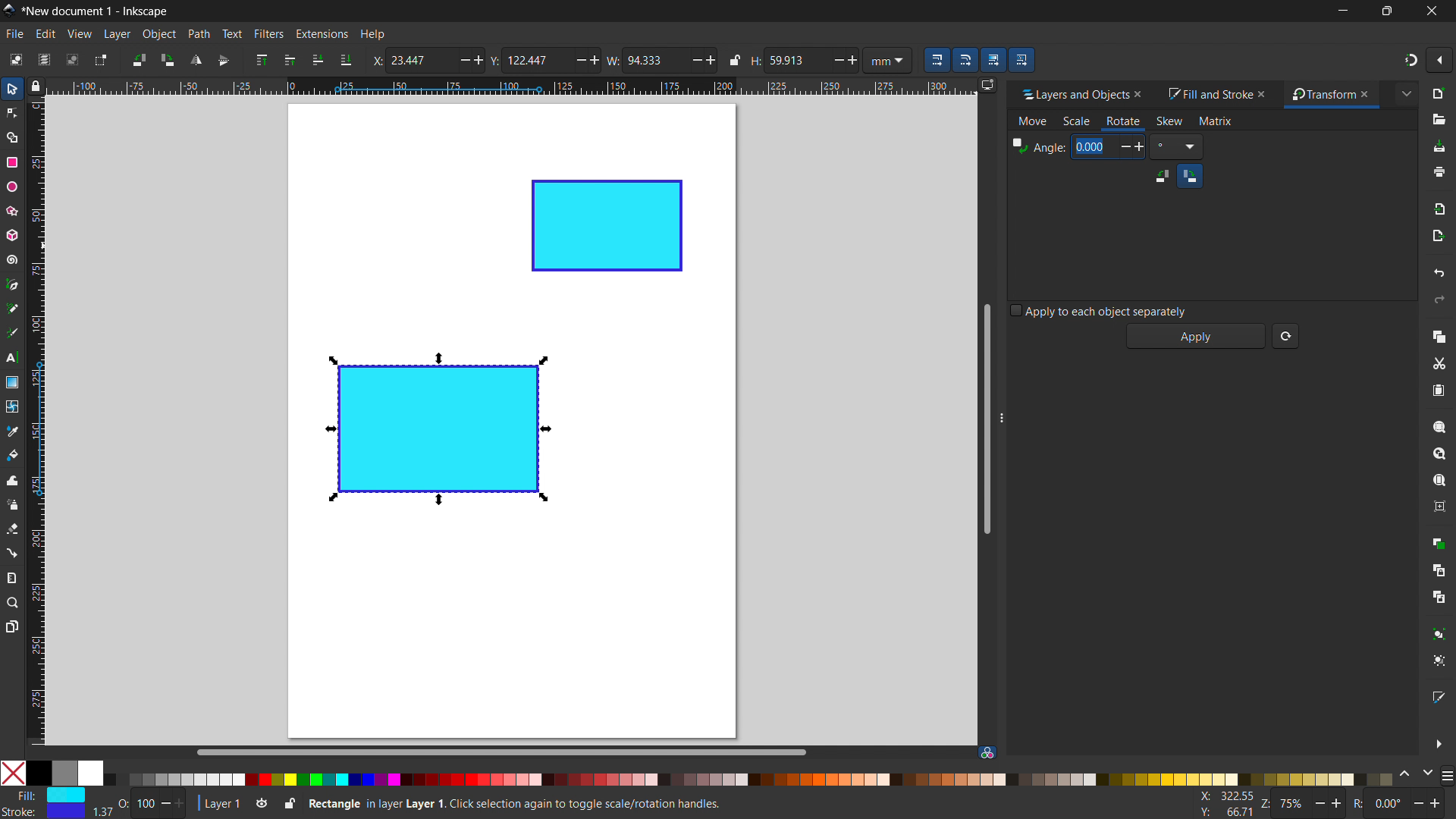  Describe the element at coordinates (1439, 597) in the screenshot. I see `unlink clone` at that location.